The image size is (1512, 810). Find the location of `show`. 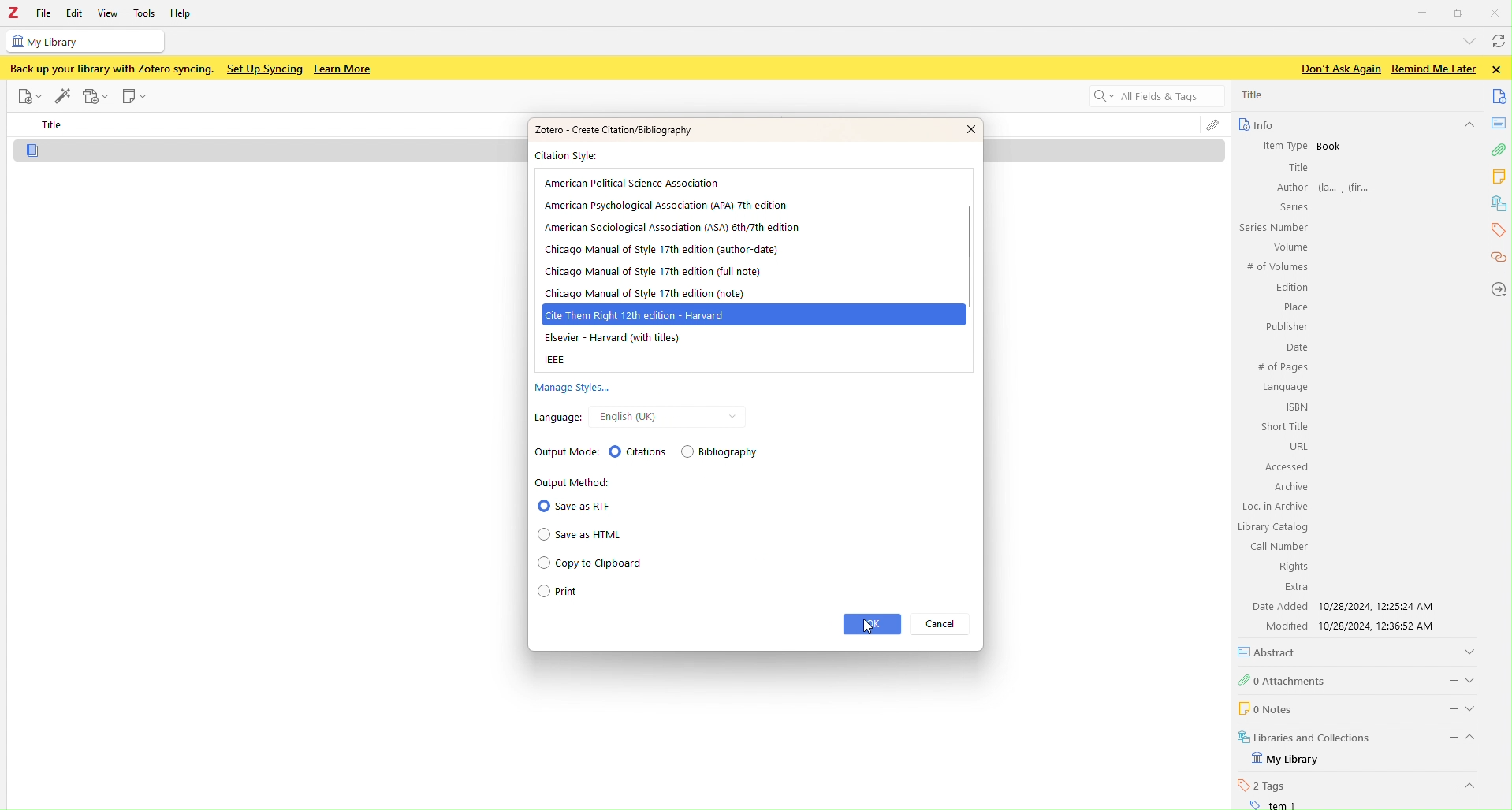

show is located at coordinates (1476, 708).